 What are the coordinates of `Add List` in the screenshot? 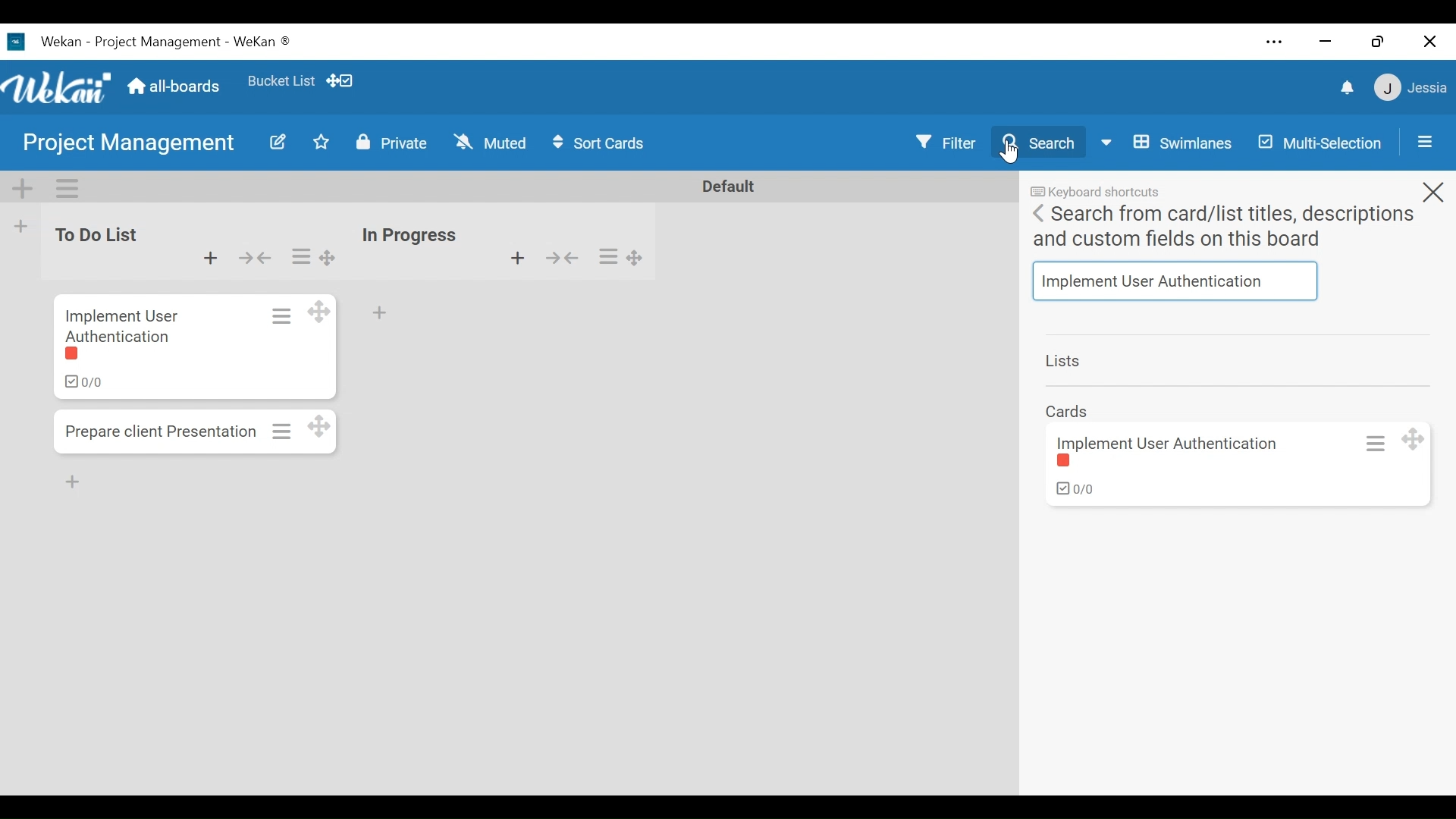 It's located at (24, 227).